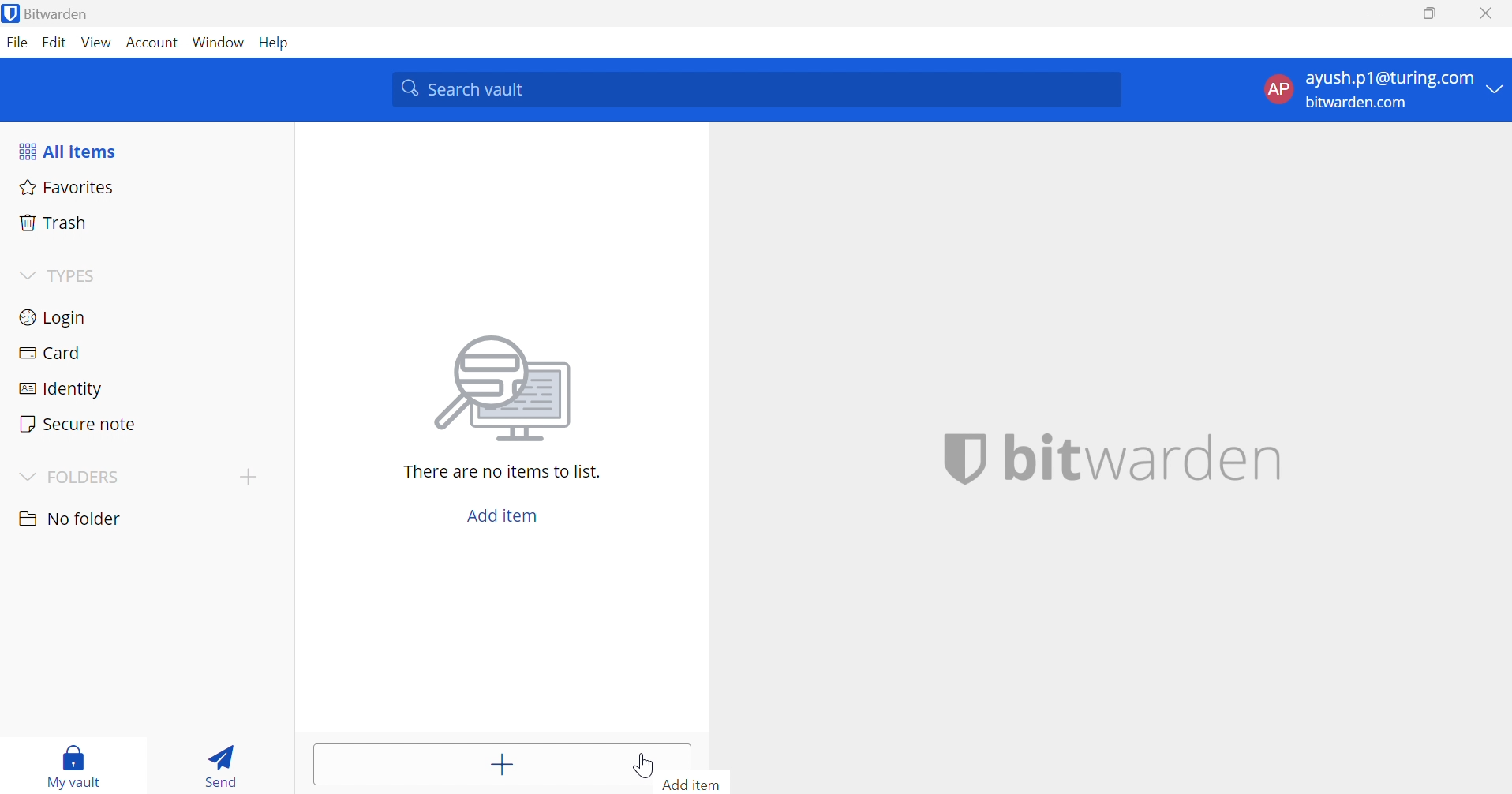  What do you see at coordinates (1356, 103) in the screenshot?
I see `bitwarden.com` at bounding box center [1356, 103].